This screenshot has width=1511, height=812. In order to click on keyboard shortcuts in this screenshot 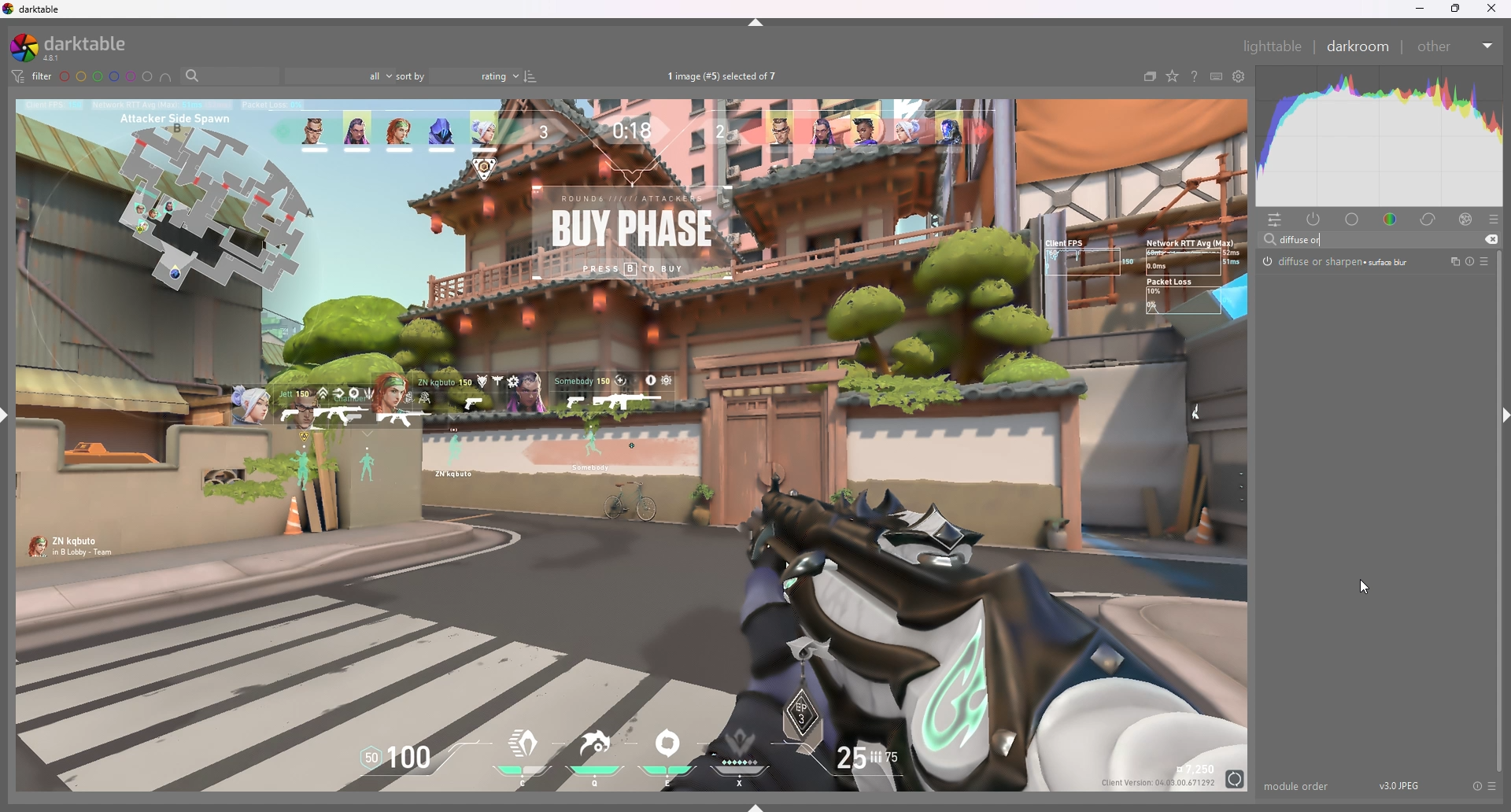, I will do `click(1217, 76)`.